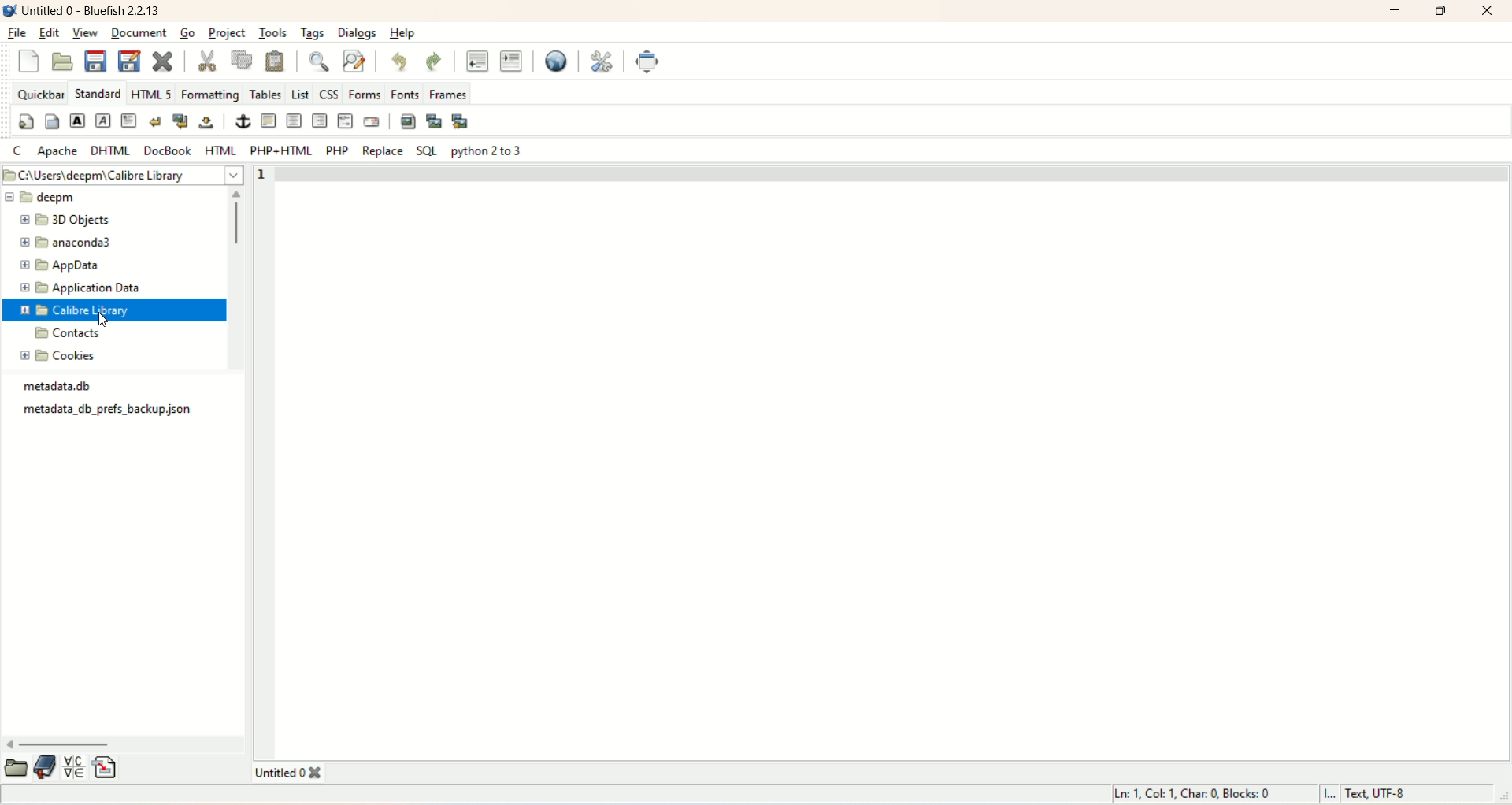 This screenshot has width=1512, height=805. I want to click on deepm, so click(110, 198).